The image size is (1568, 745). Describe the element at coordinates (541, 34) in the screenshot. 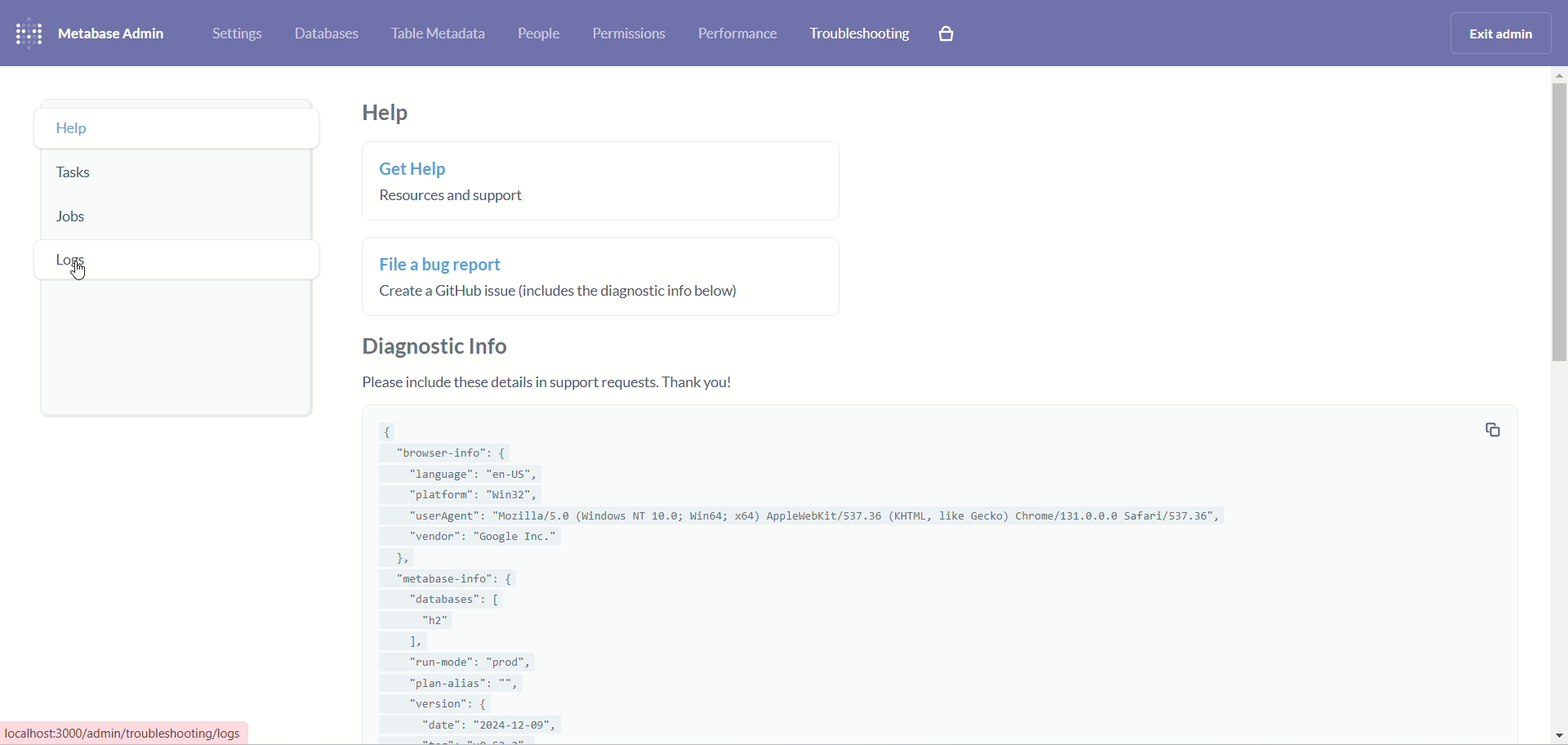

I see `people` at that location.